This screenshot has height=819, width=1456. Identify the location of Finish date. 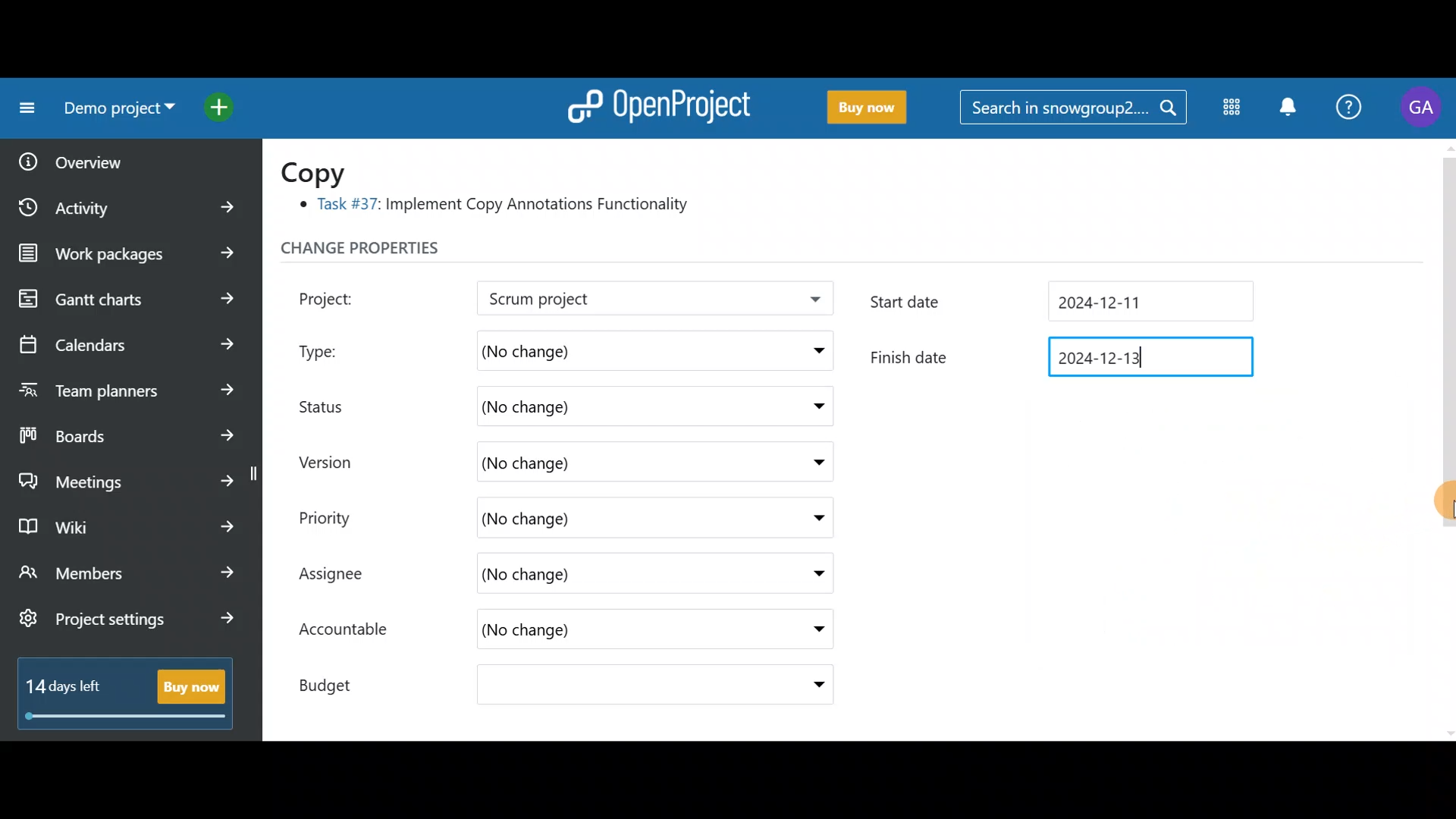
(924, 353).